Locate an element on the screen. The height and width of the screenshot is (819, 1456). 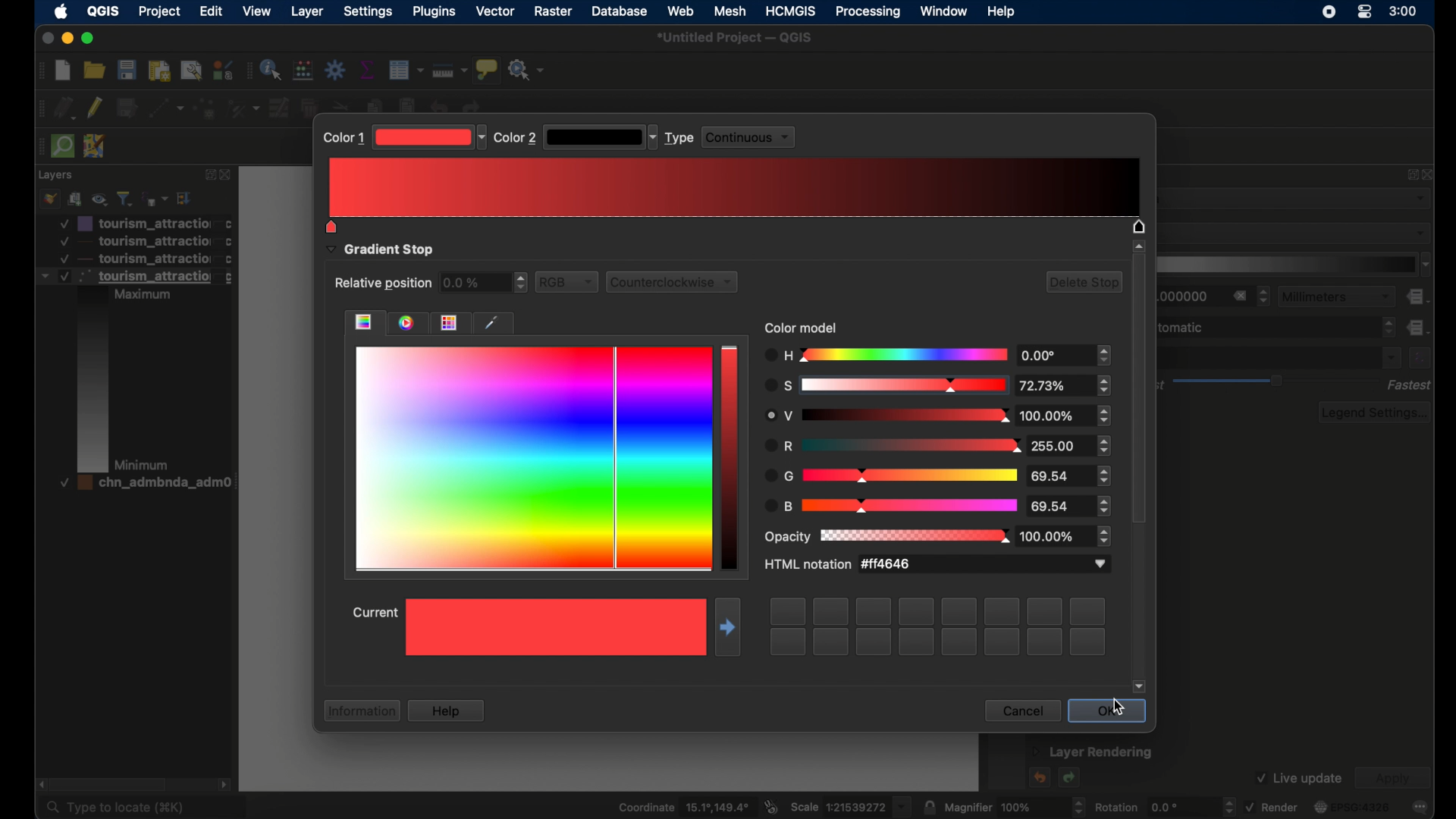
stepper buttons is located at coordinates (1066, 353).